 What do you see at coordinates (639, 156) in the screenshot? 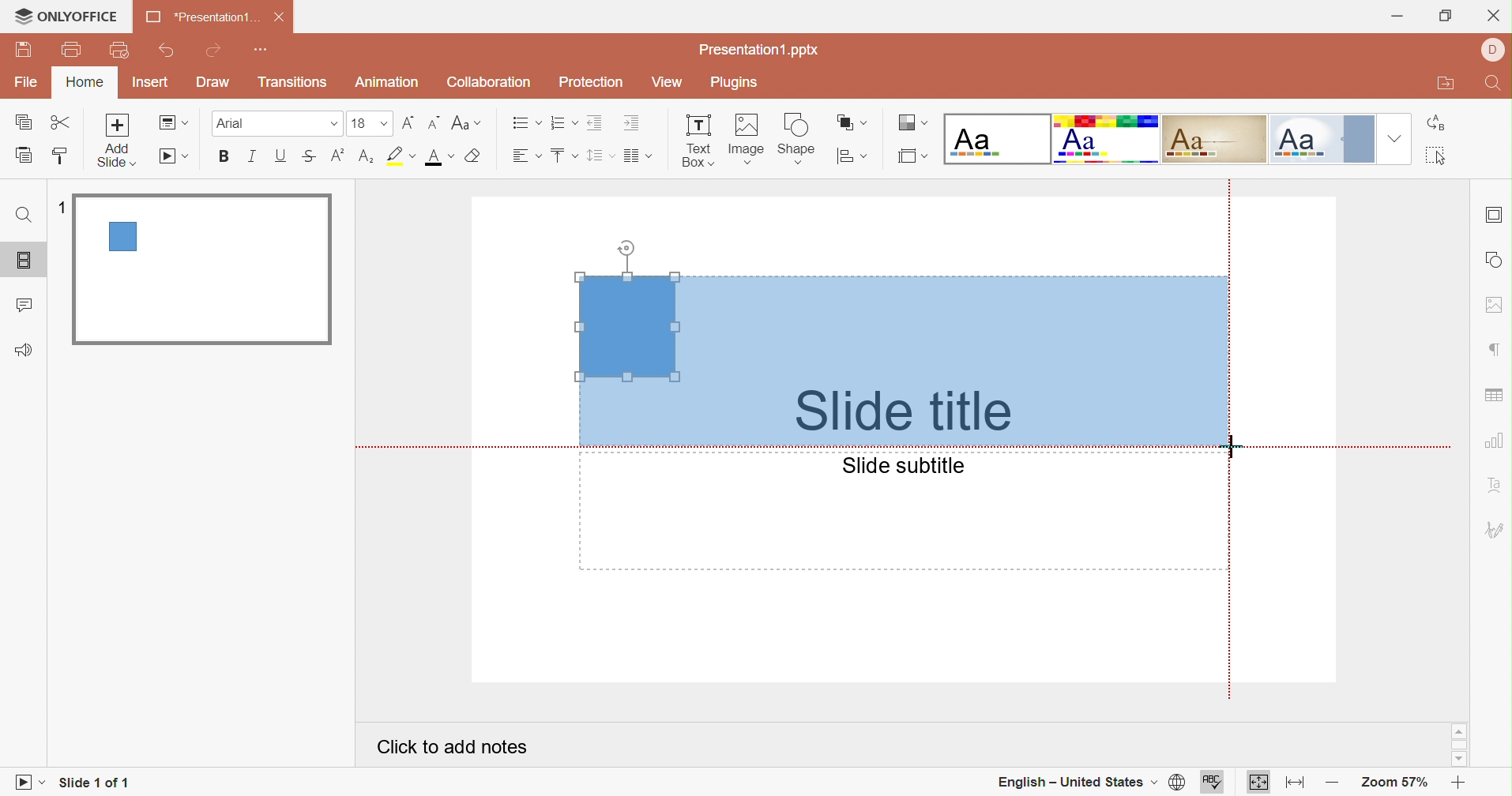
I see `Insert columns` at bounding box center [639, 156].